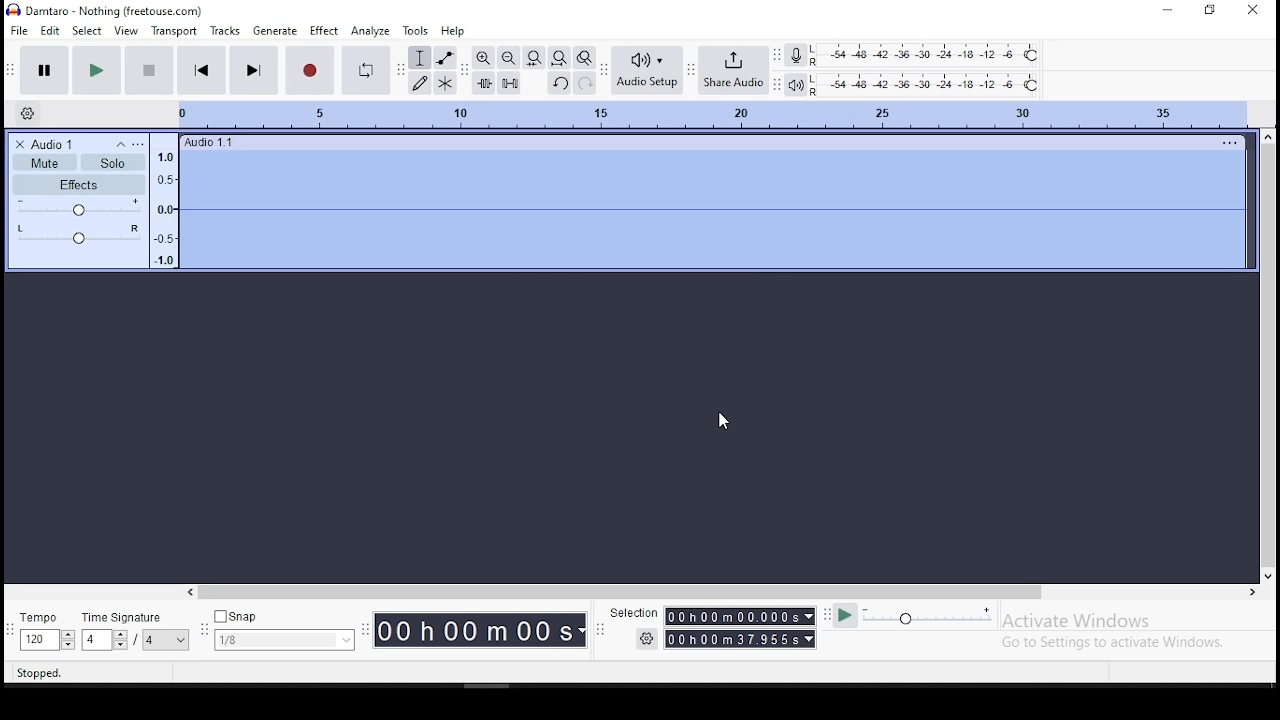 The height and width of the screenshot is (720, 1280). Describe the element at coordinates (201, 71) in the screenshot. I see `skip to start` at that location.